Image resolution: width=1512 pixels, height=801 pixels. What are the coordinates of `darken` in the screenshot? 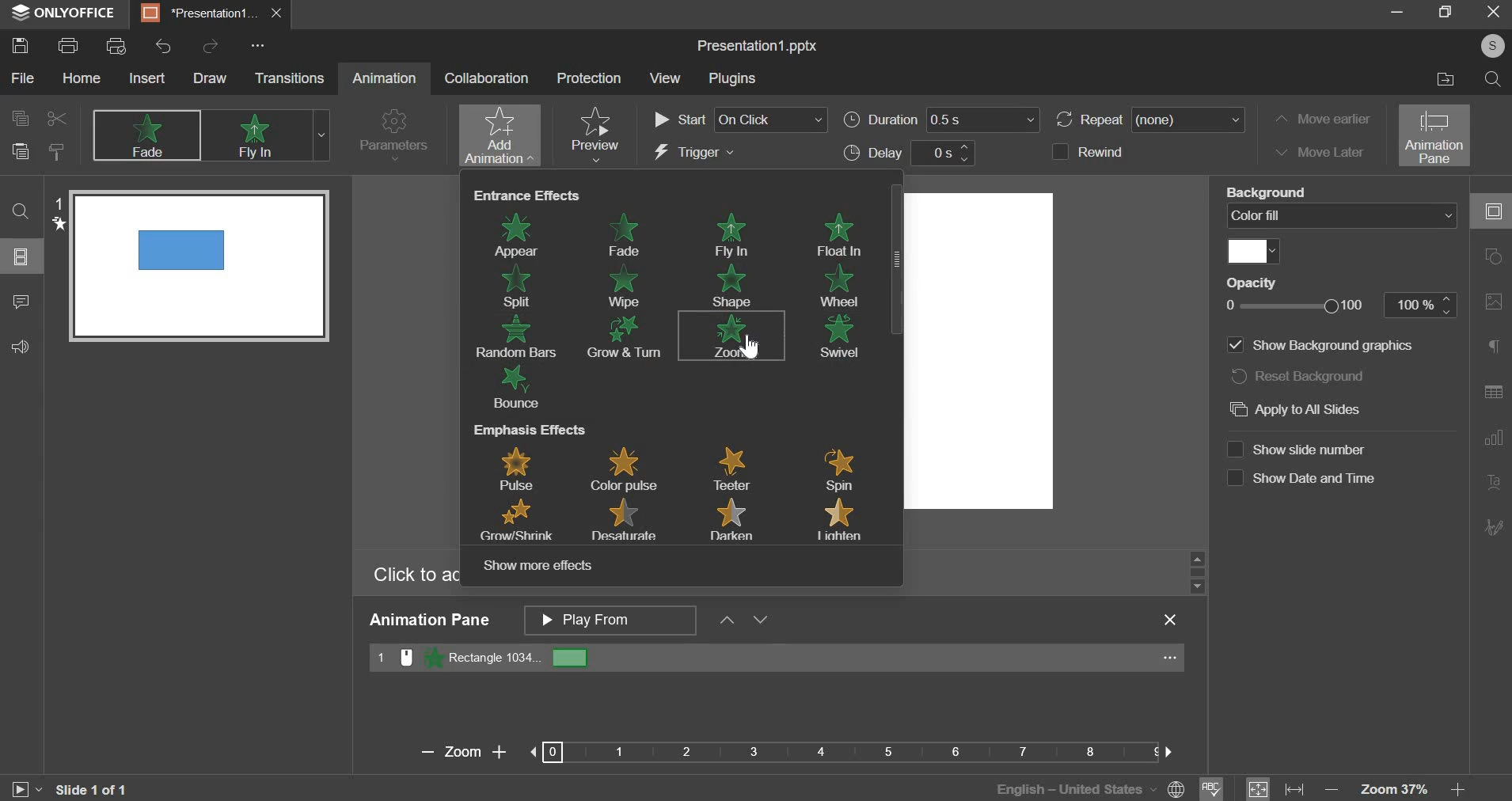 It's located at (735, 521).